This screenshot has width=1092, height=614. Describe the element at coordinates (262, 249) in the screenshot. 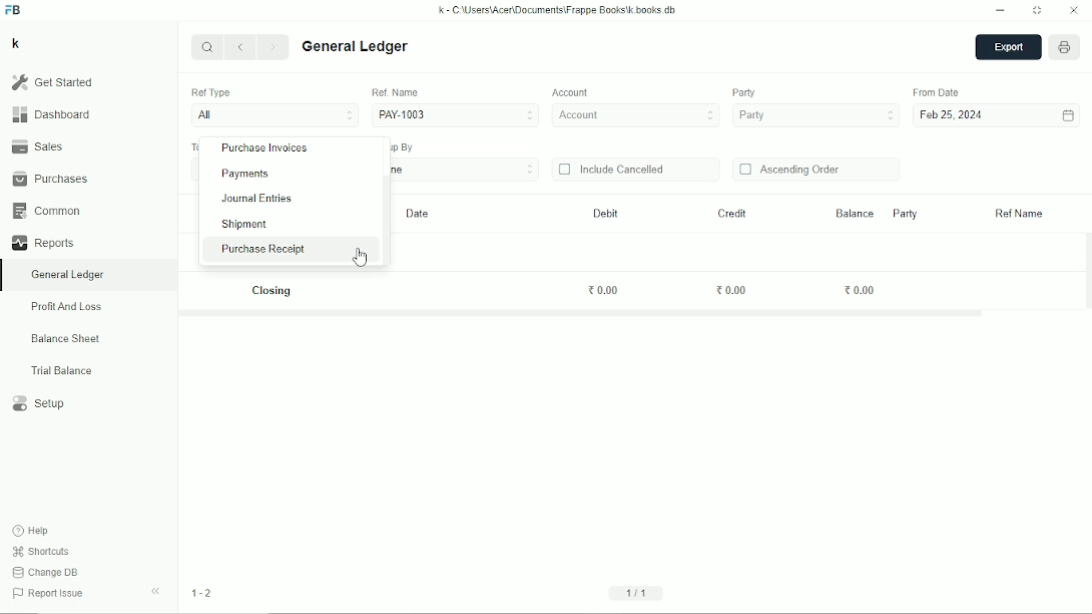

I see `Purchase receipt` at that location.